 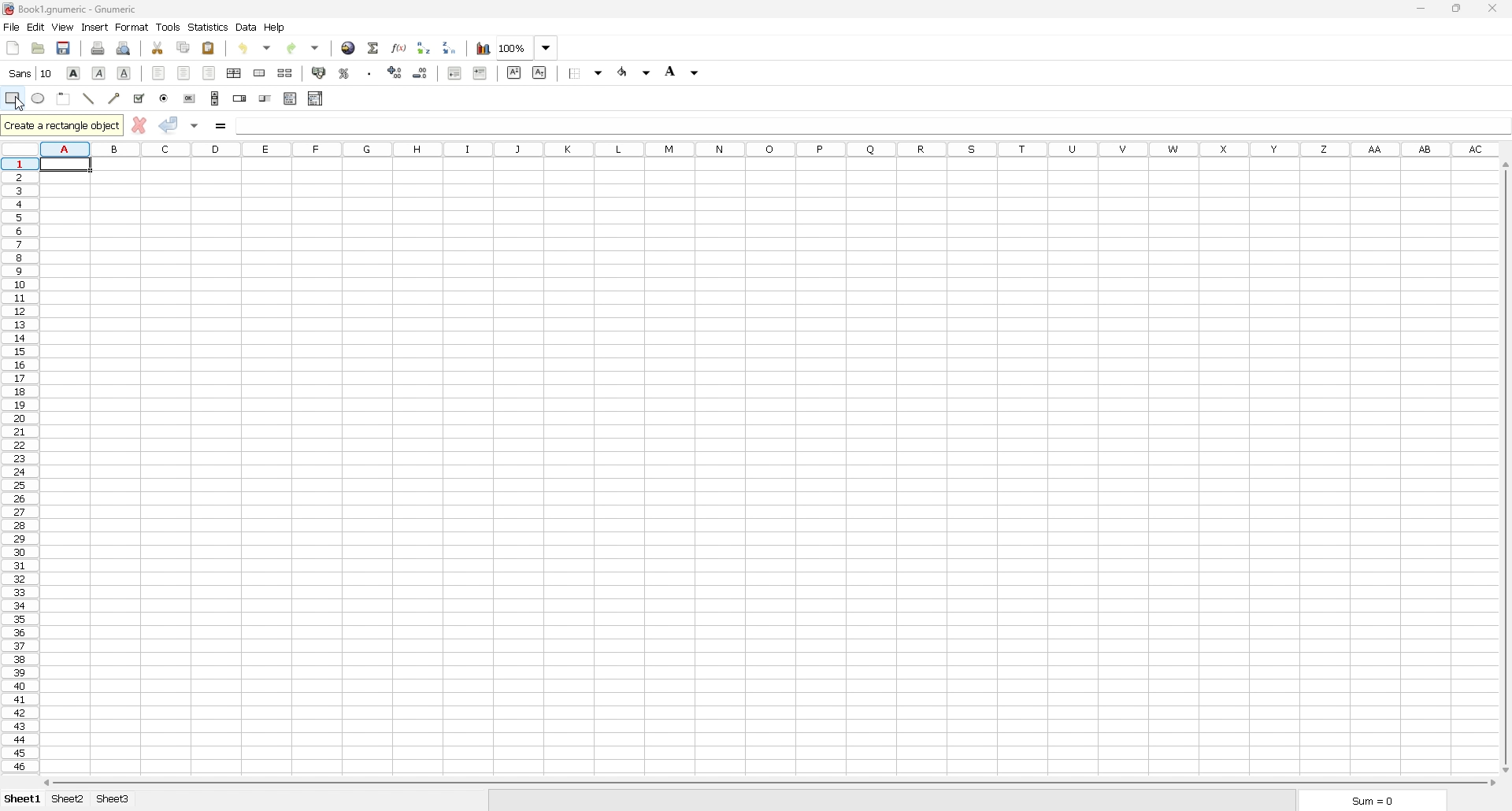 What do you see at coordinates (770, 783) in the screenshot?
I see `scroll bar` at bounding box center [770, 783].